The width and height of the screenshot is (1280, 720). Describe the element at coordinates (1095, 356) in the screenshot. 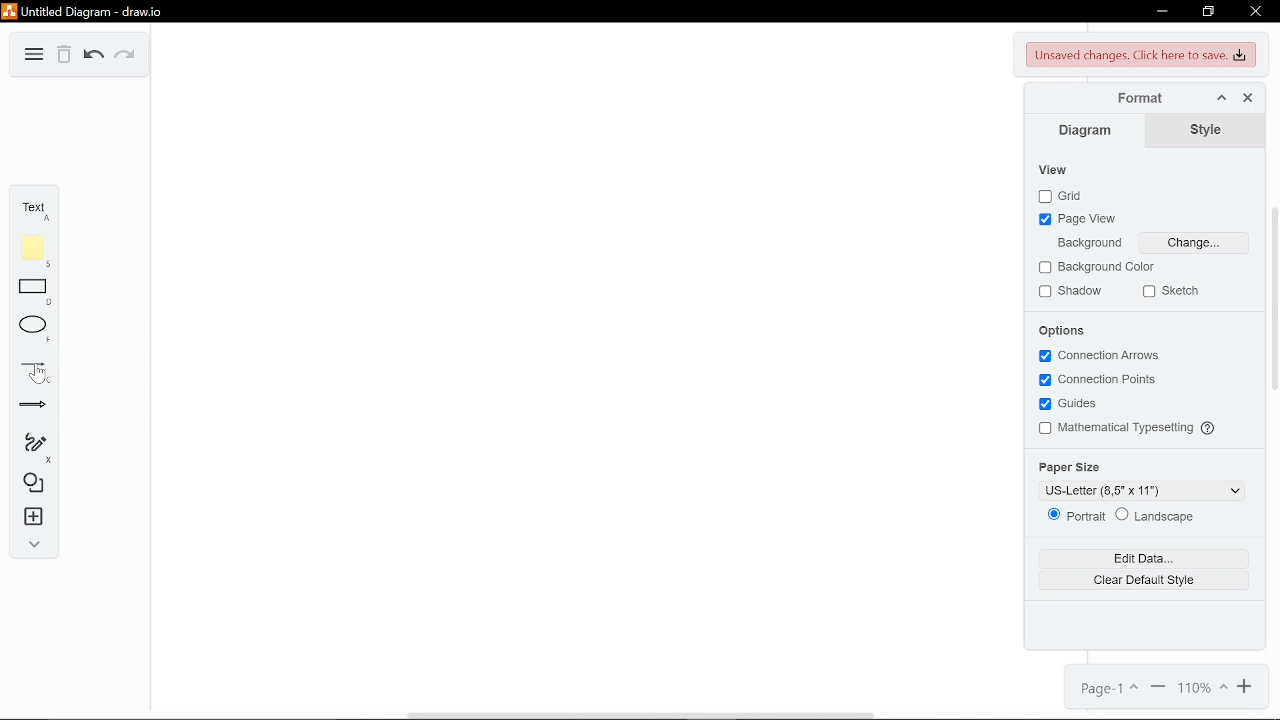

I see `Connection Axioms` at that location.